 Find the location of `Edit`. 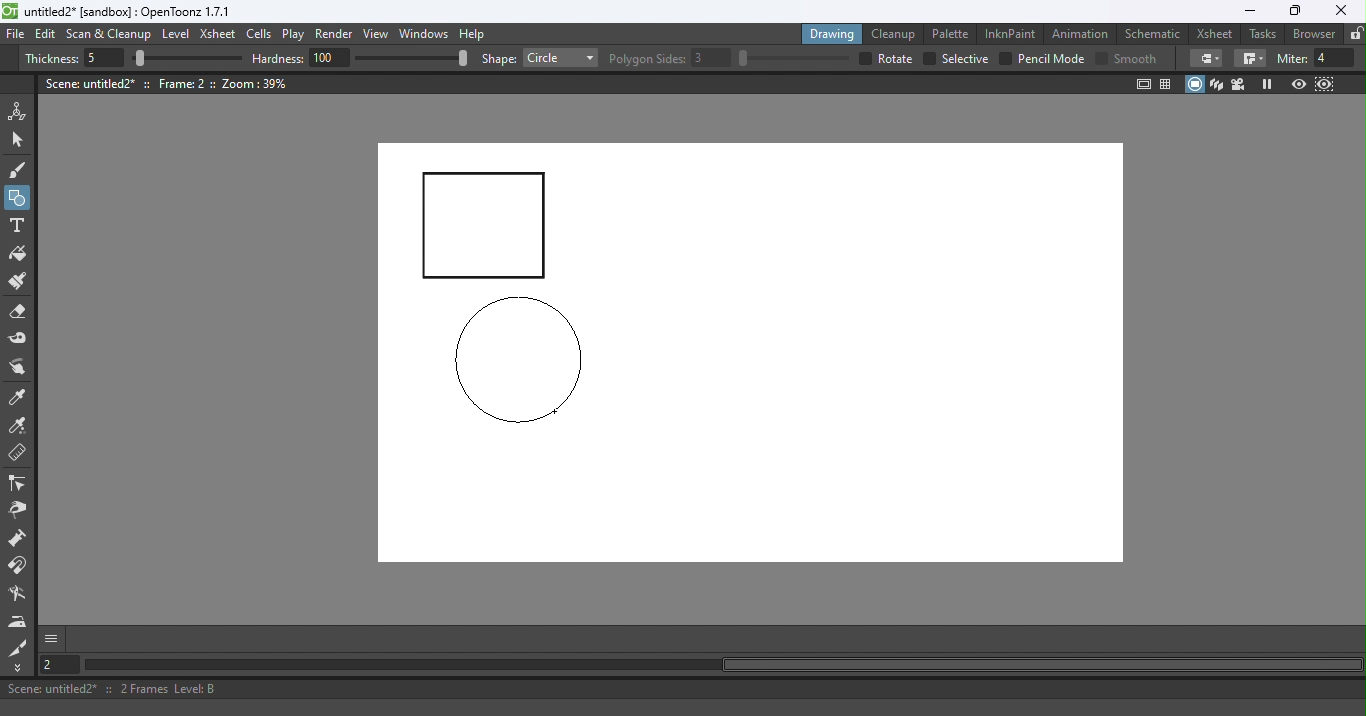

Edit is located at coordinates (48, 34).